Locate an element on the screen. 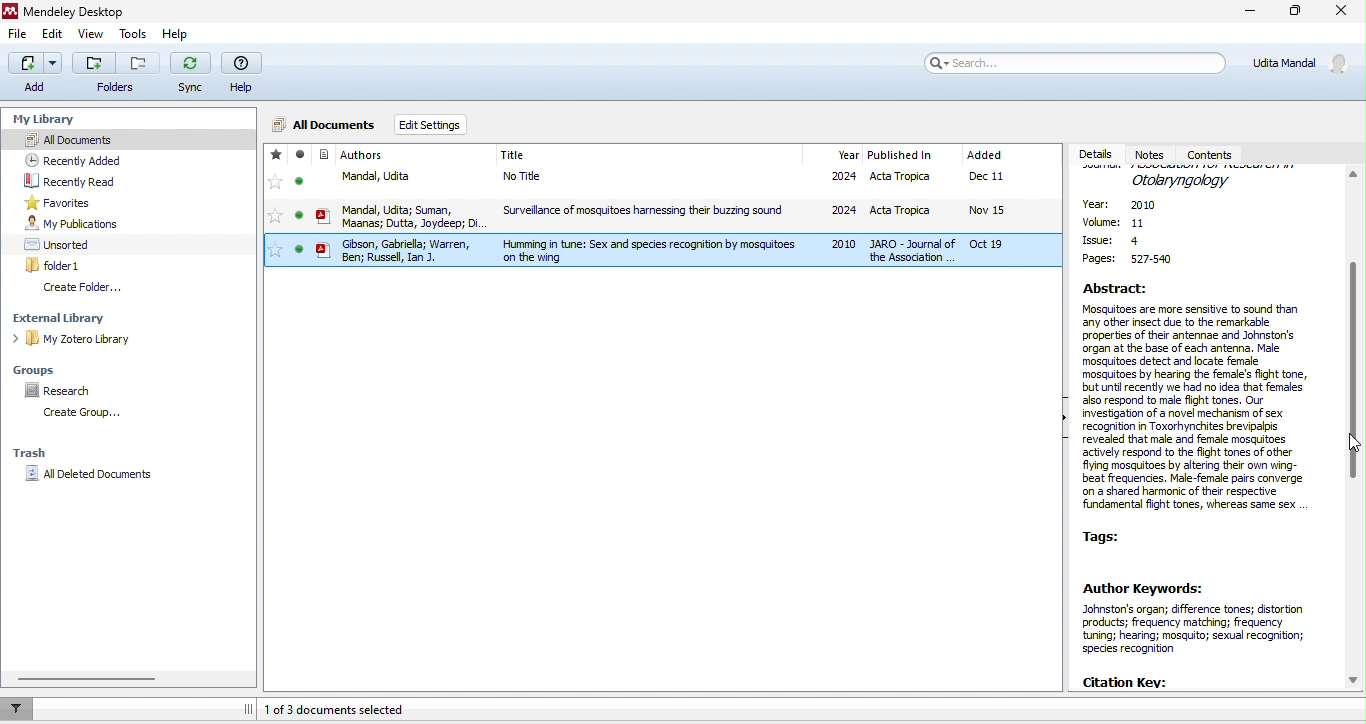  help is located at coordinates (183, 36).